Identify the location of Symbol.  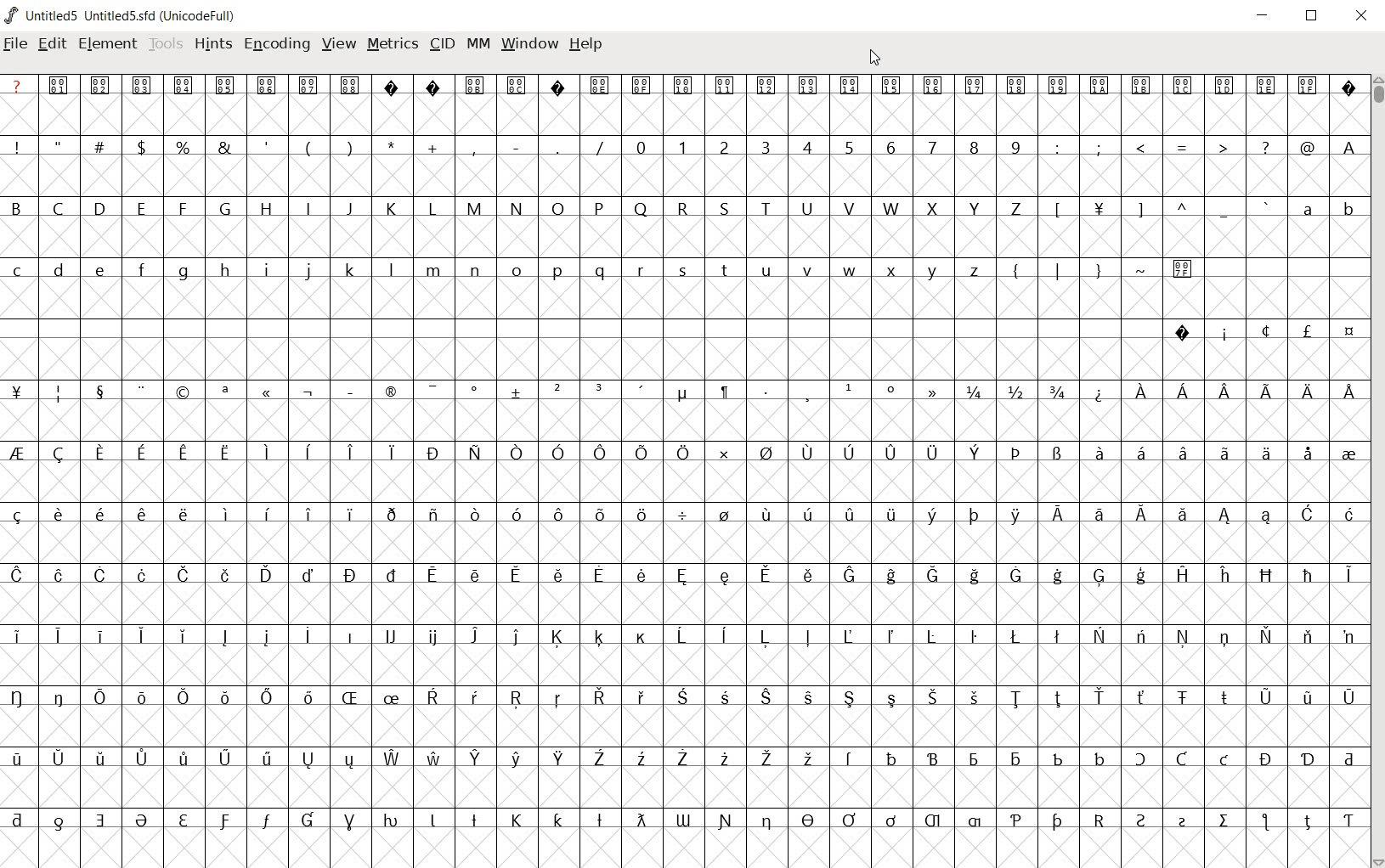
(1099, 757).